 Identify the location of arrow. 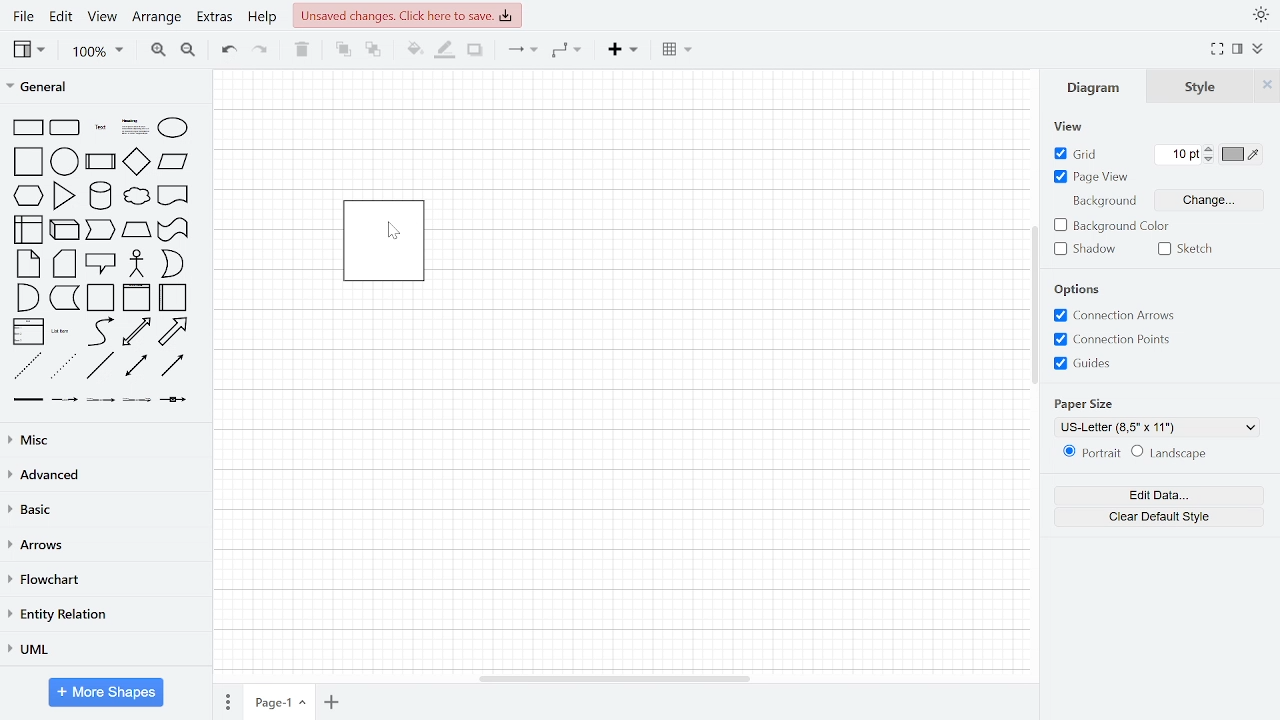
(174, 330).